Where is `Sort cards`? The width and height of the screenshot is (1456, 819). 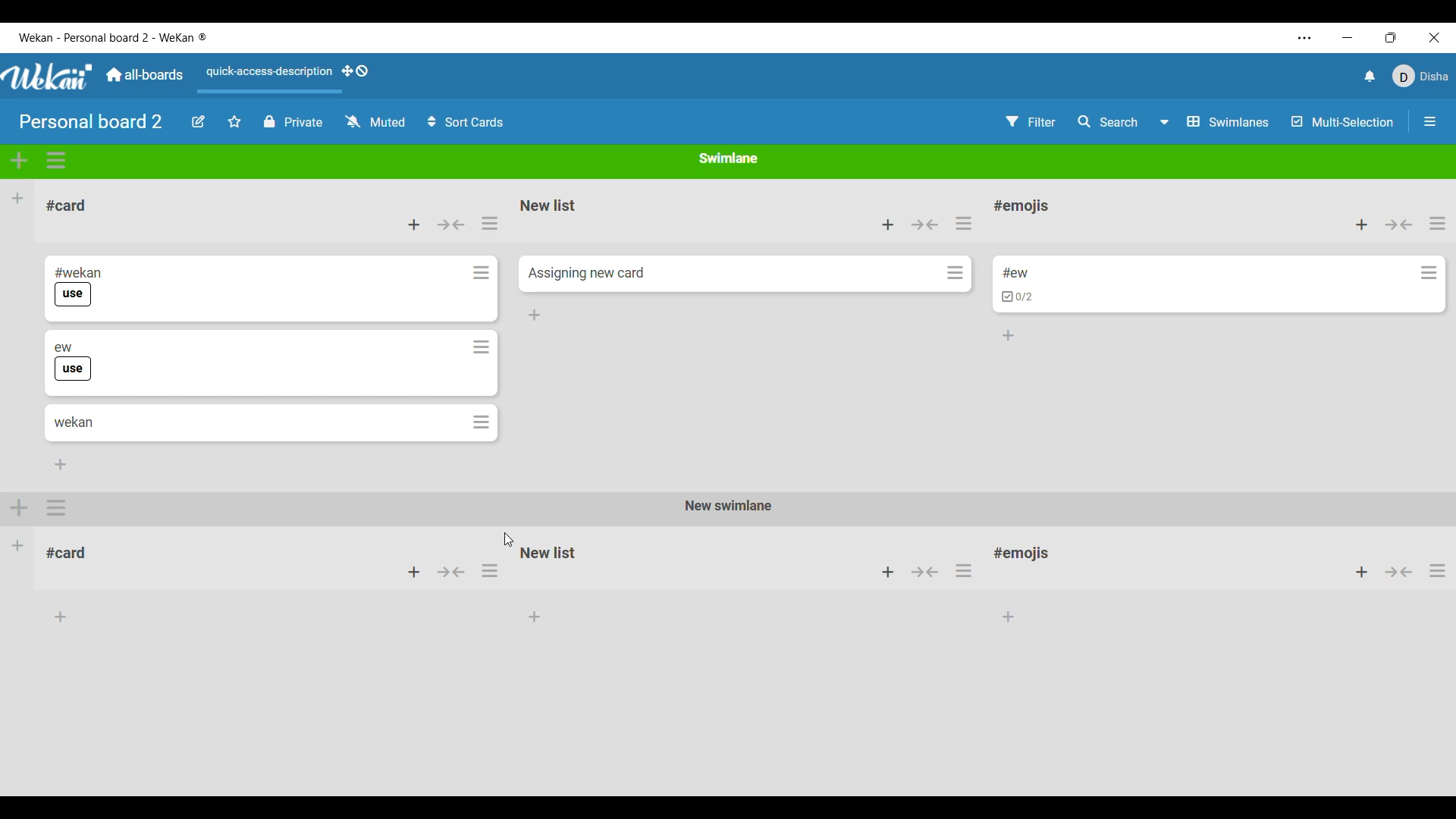 Sort cards is located at coordinates (465, 122).